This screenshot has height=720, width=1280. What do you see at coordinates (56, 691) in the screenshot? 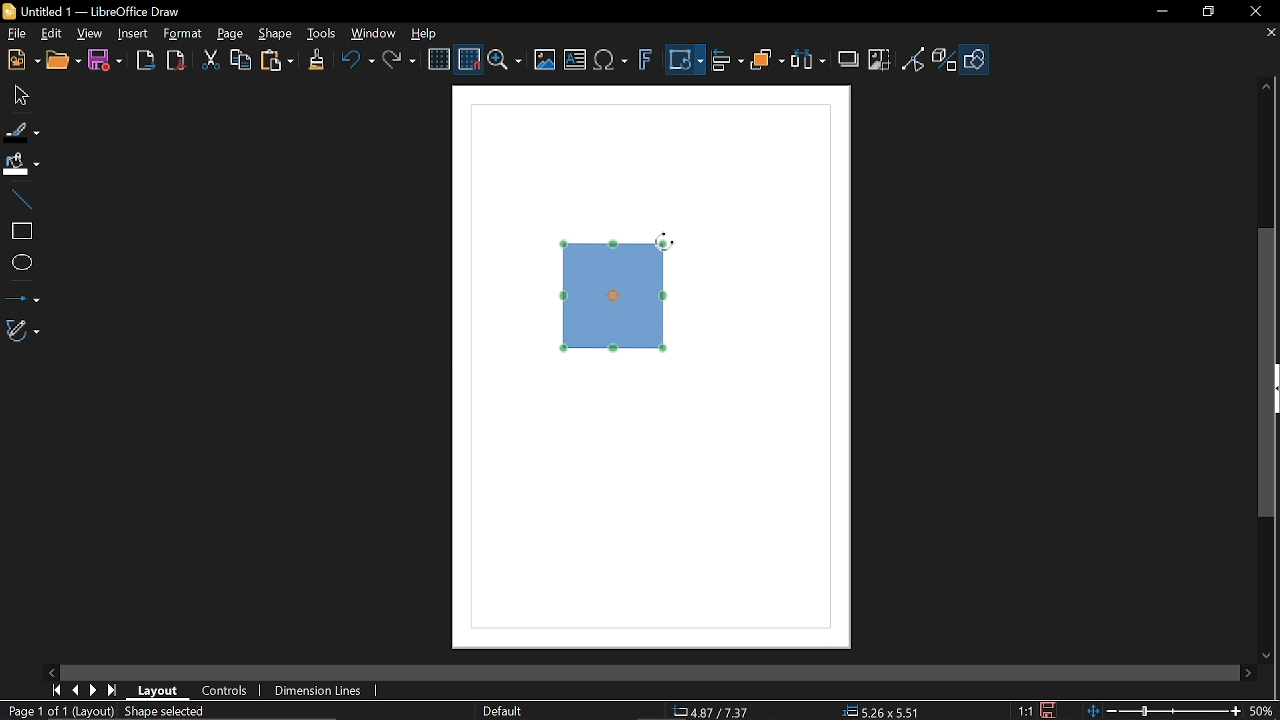
I see `Go to first page ` at bounding box center [56, 691].